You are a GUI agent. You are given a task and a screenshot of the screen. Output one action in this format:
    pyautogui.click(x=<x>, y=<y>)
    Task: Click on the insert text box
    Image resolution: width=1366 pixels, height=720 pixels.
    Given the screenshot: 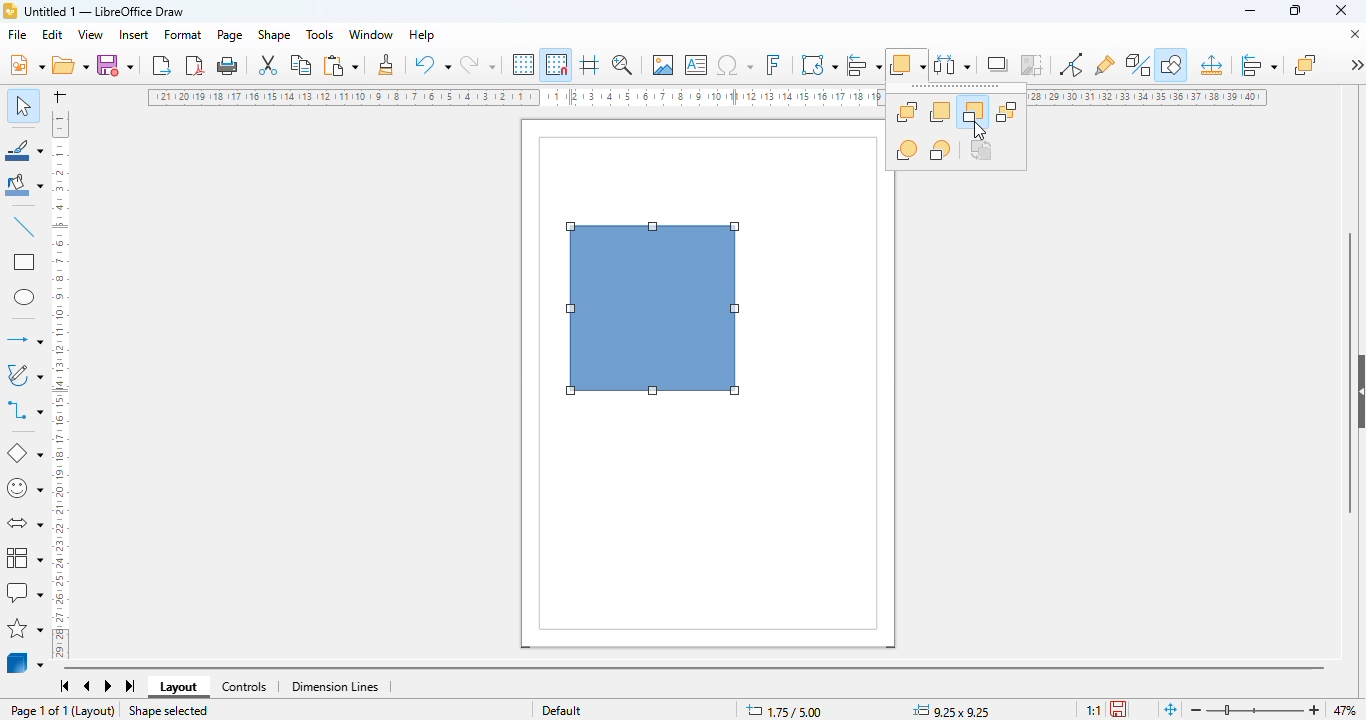 What is the action you would take?
    pyautogui.click(x=697, y=65)
    